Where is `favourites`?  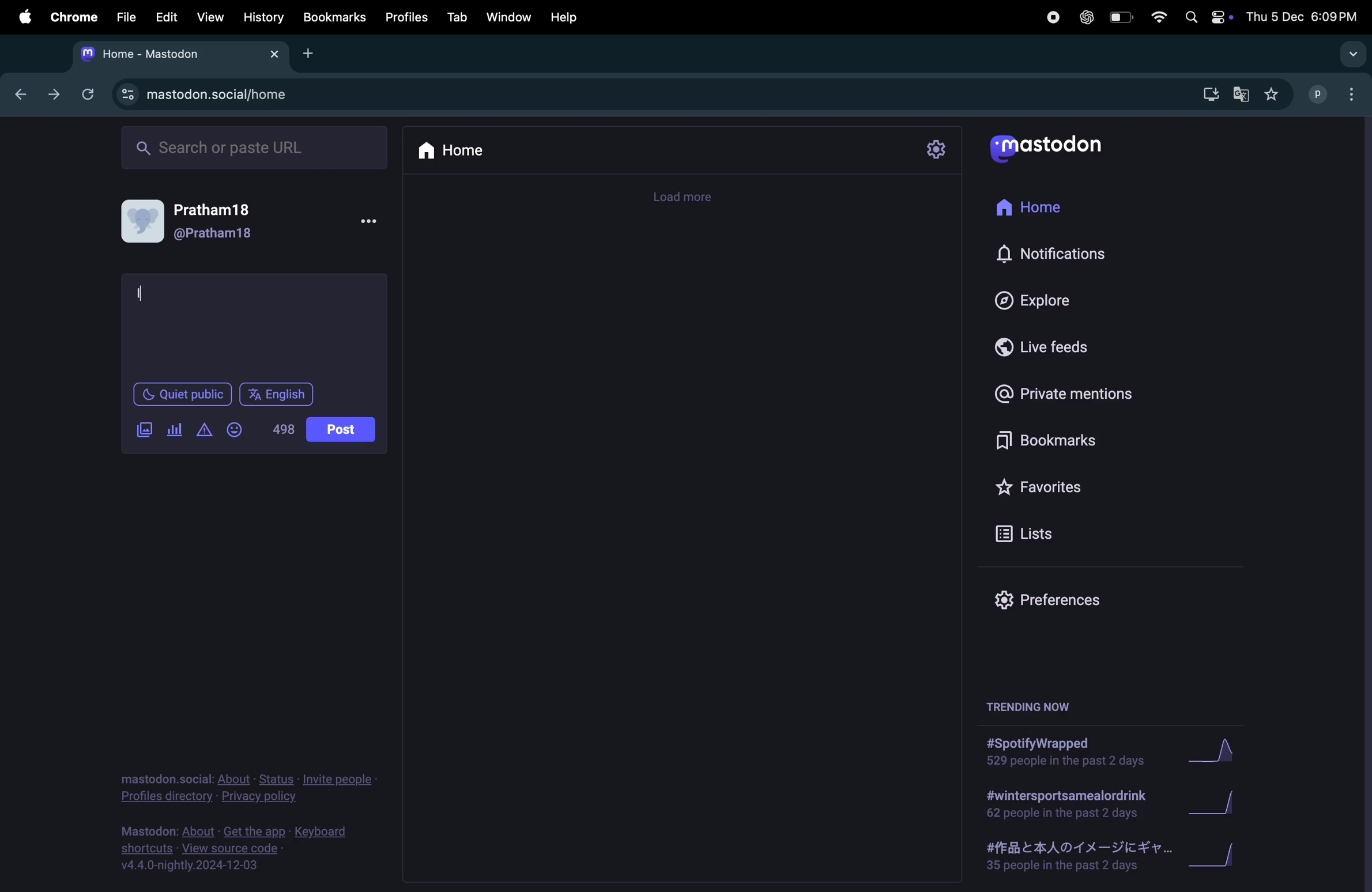 favourites is located at coordinates (1275, 97).